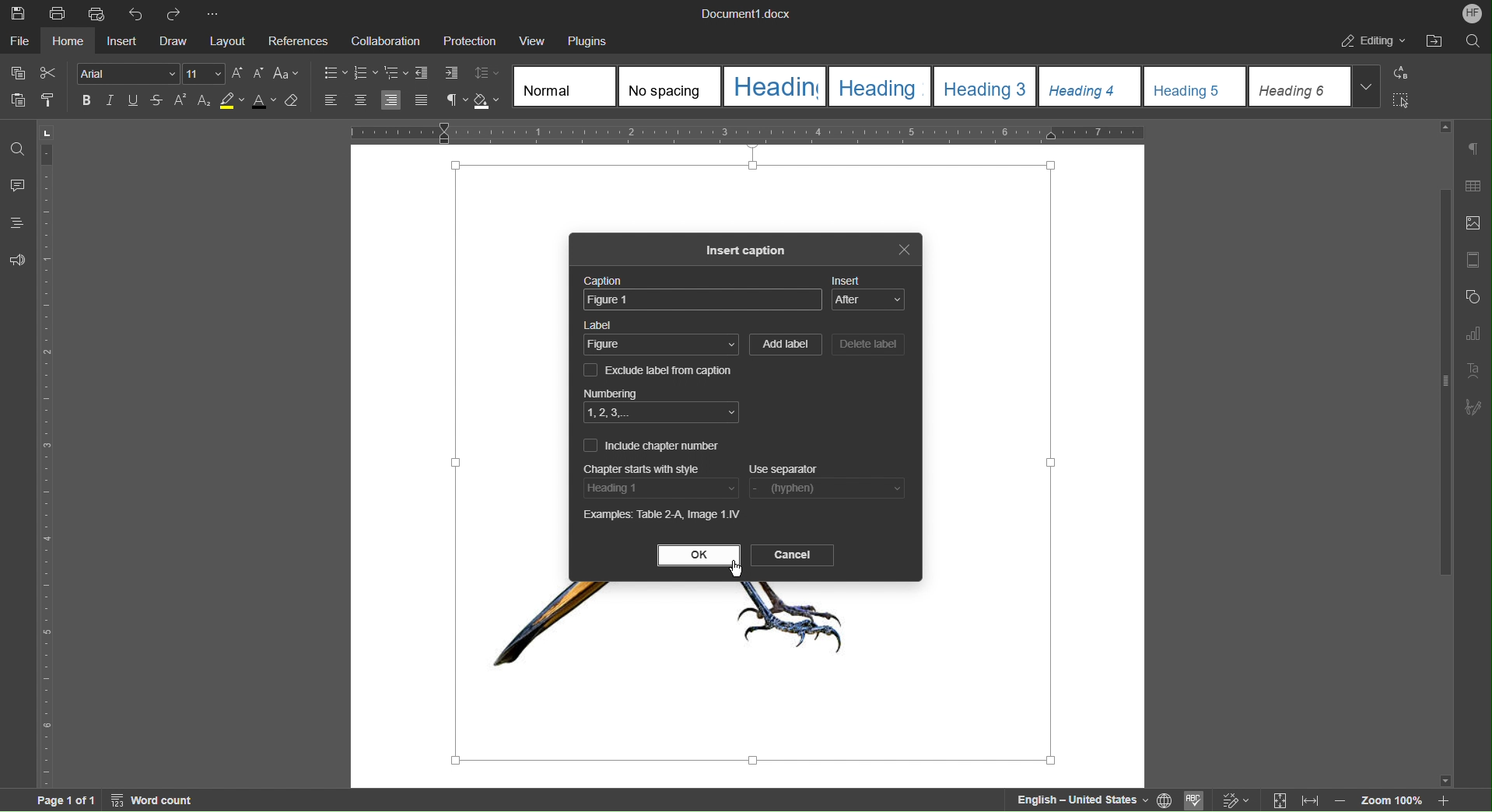  I want to click on Heading 3, so click(985, 86).